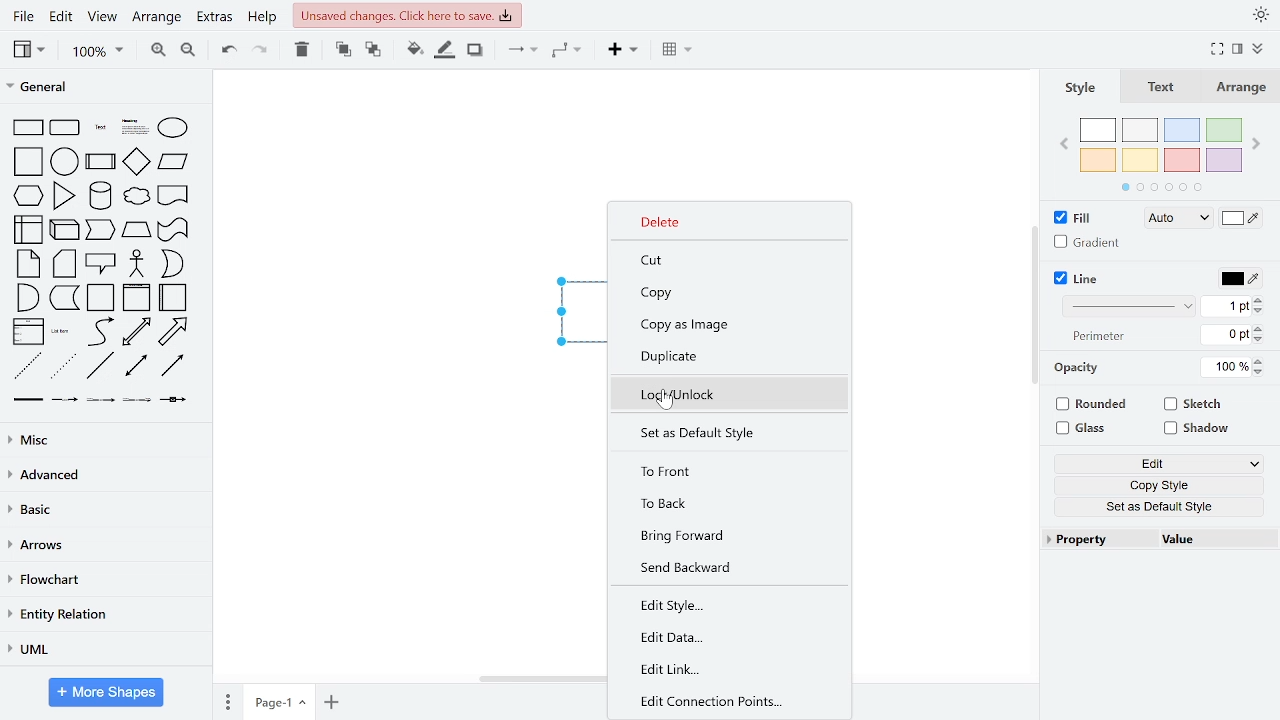  What do you see at coordinates (720, 259) in the screenshot?
I see `cut` at bounding box center [720, 259].